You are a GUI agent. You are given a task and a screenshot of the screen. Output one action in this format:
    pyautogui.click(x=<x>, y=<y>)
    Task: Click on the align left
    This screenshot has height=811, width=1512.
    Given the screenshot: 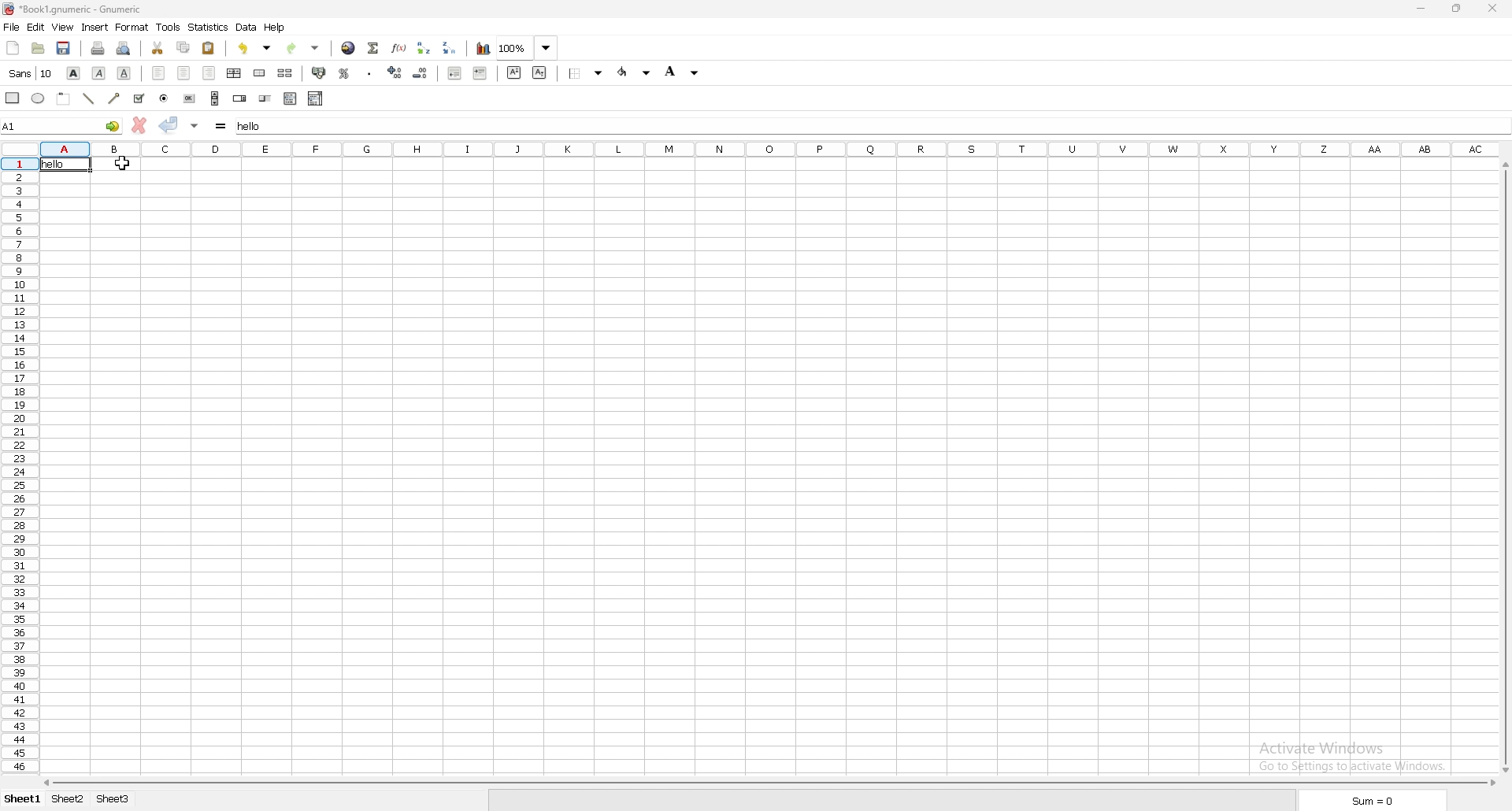 What is the action you would take?
    pyautogui.click(x=158, y=73)
    